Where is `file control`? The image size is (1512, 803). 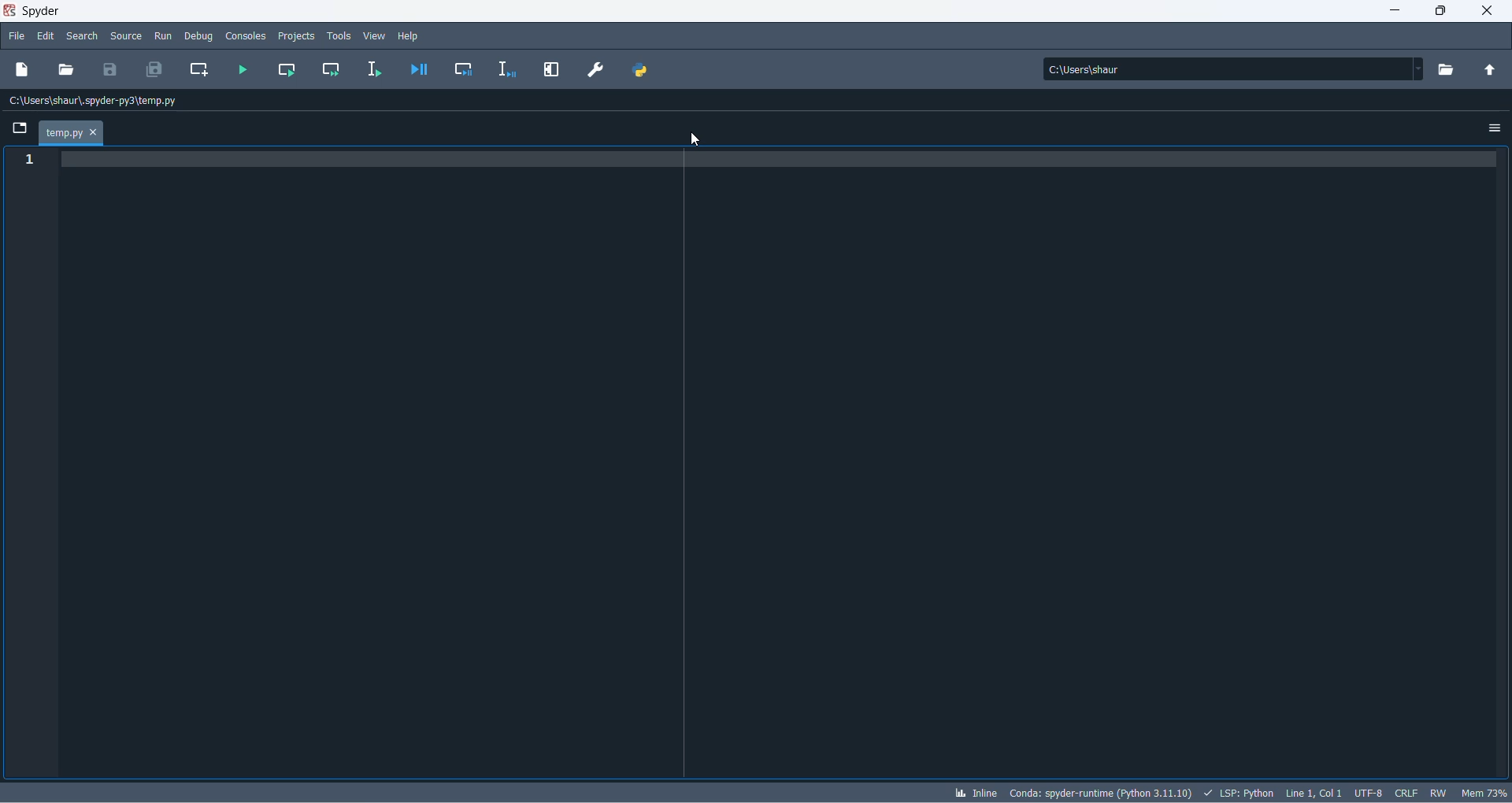
file control is located at coordinates (1436, 792).